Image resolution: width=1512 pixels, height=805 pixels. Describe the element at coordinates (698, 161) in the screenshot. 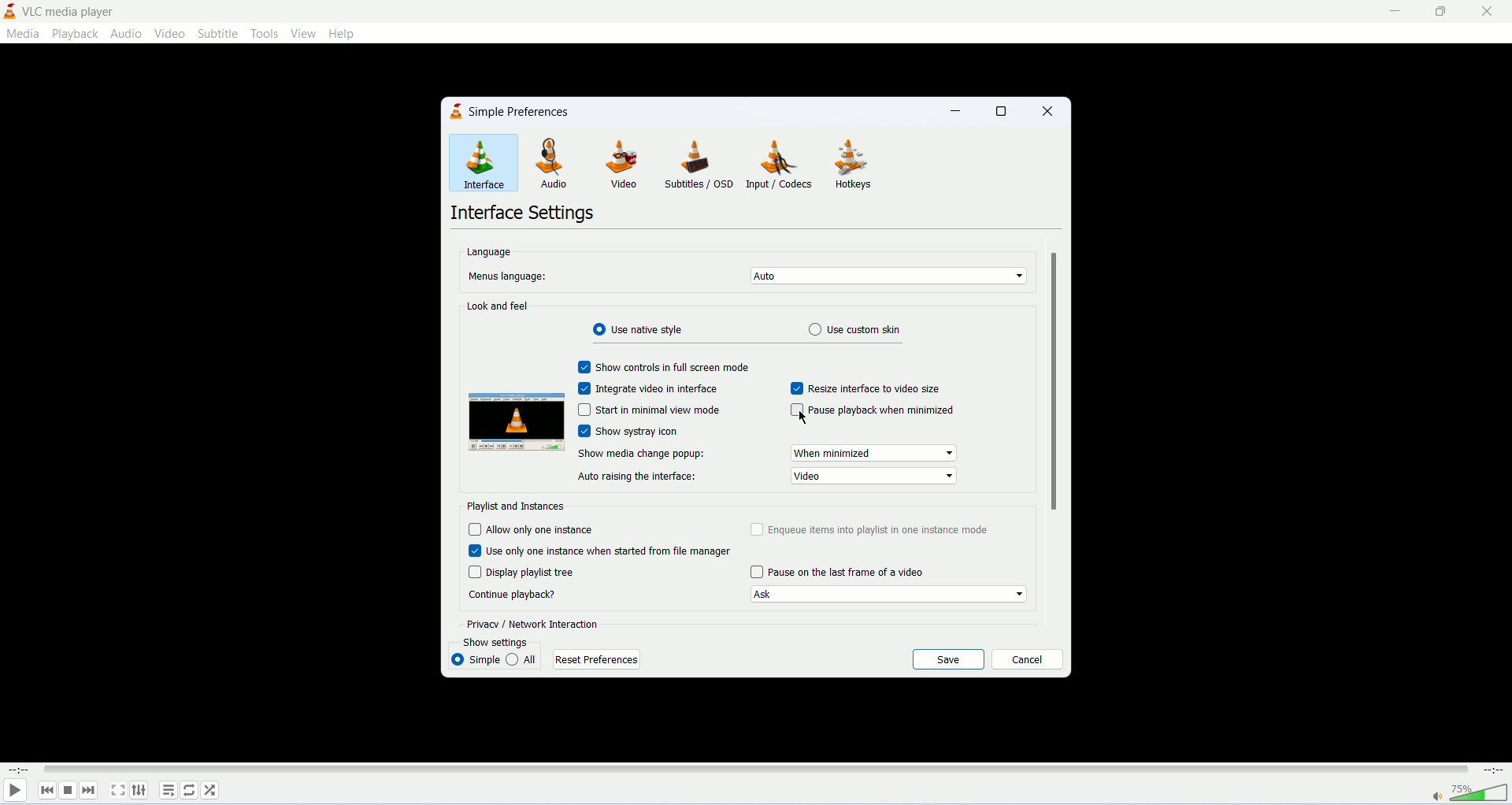

I see `subtitles/OSD` at that location.